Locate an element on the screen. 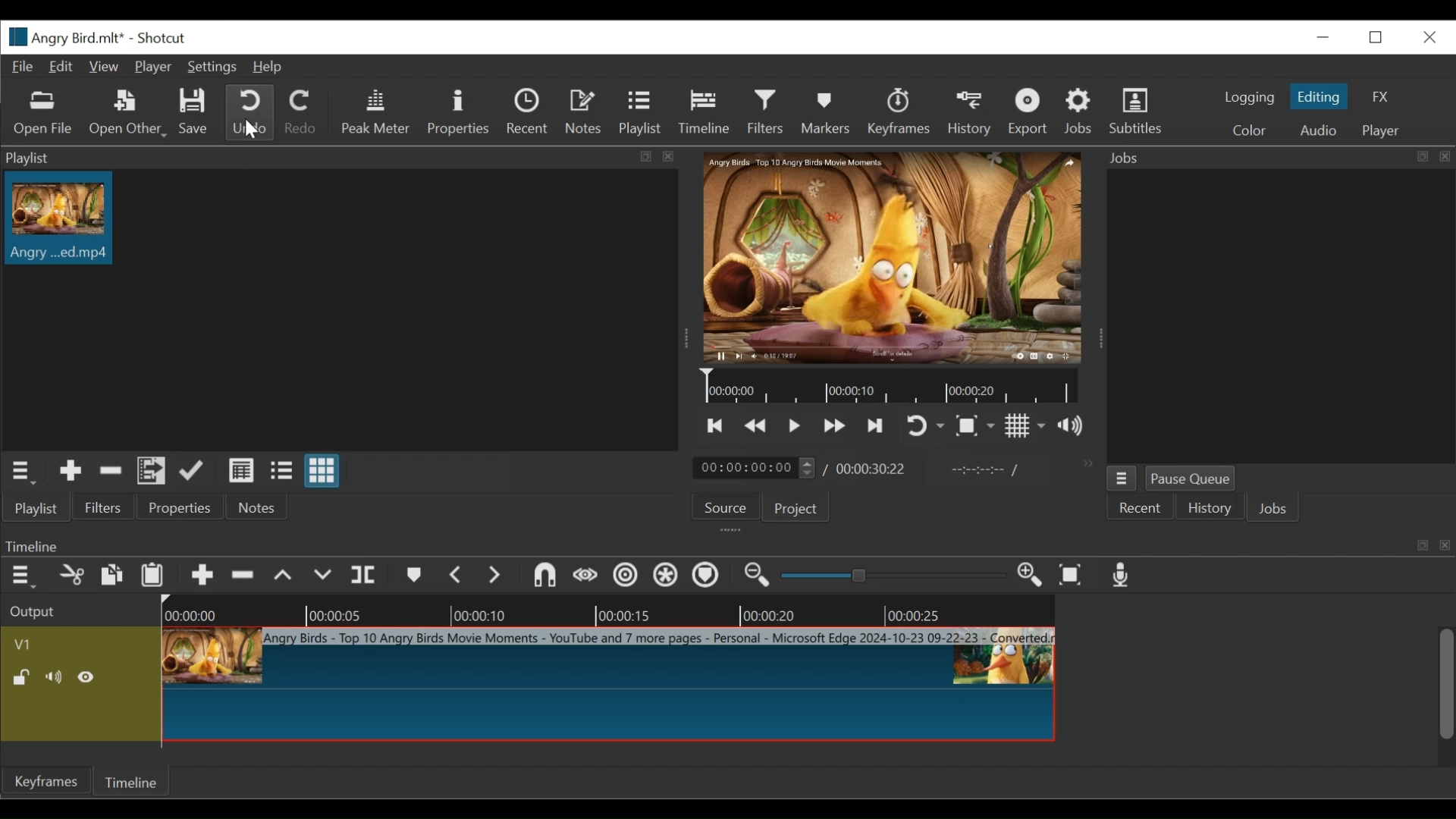  Ripple delete is located at coordinates (243, 576).